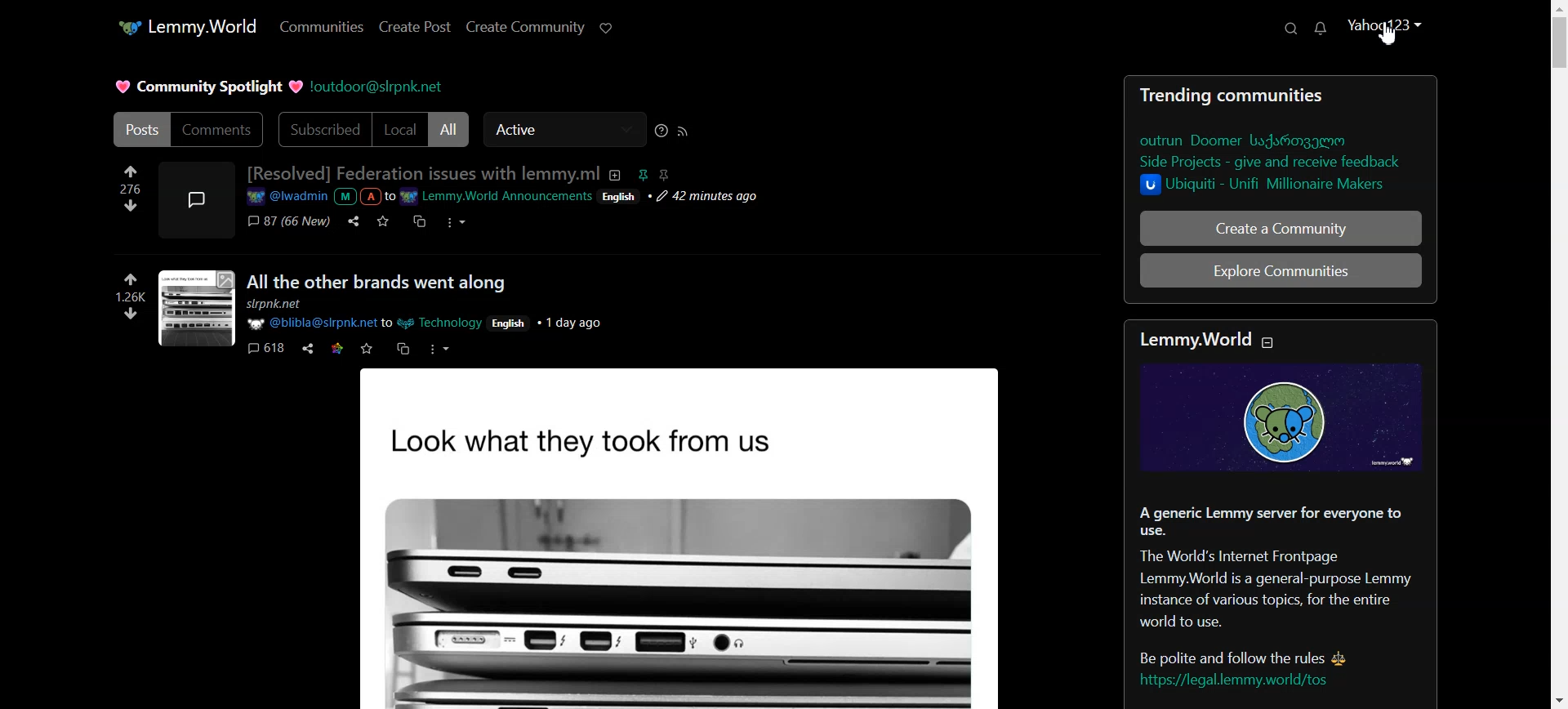  Describe the element at coordinates (1320, 29) in the screenshot. I see `notifications` at that location.